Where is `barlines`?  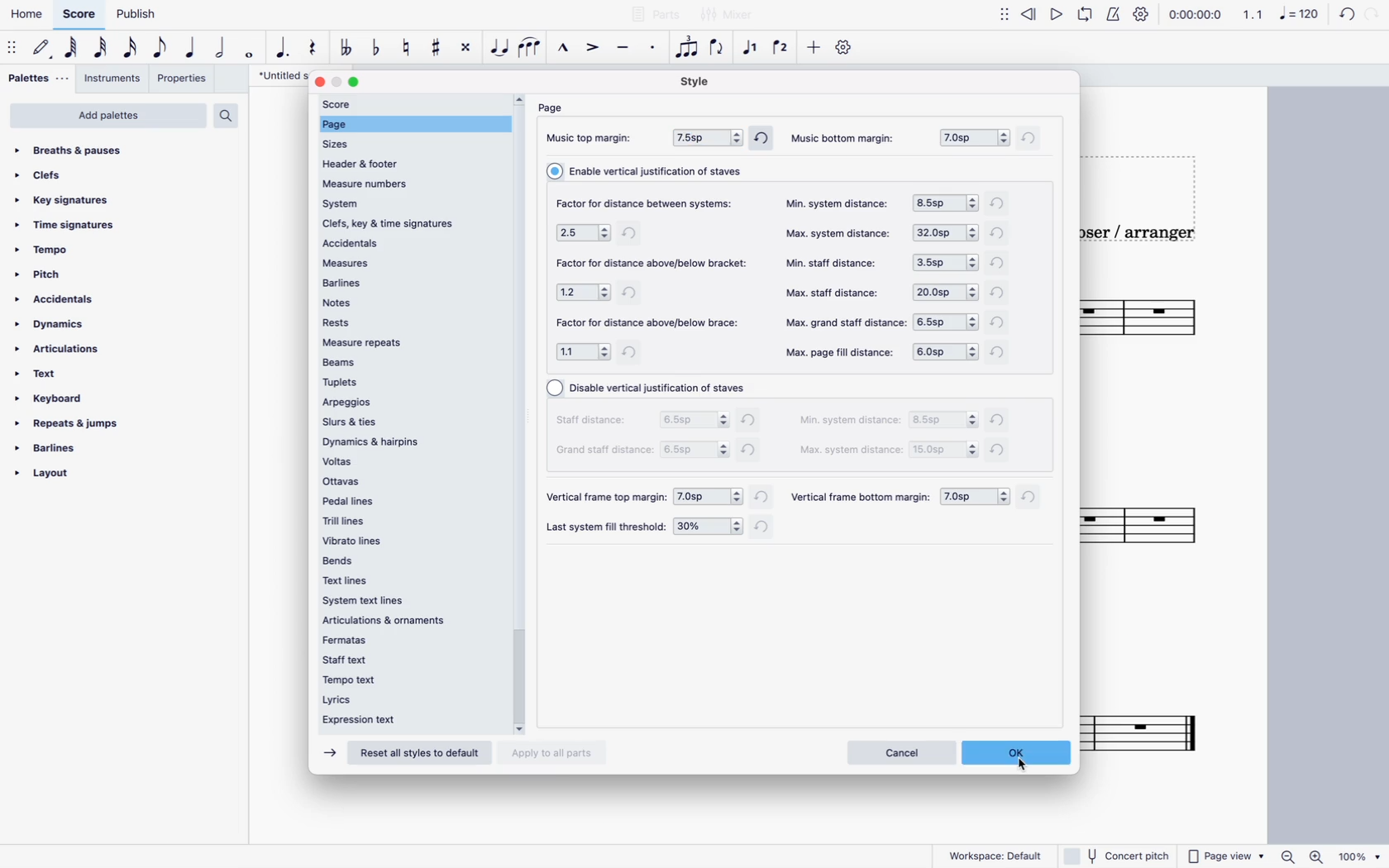
barlines is located at coordinates (408, 281).